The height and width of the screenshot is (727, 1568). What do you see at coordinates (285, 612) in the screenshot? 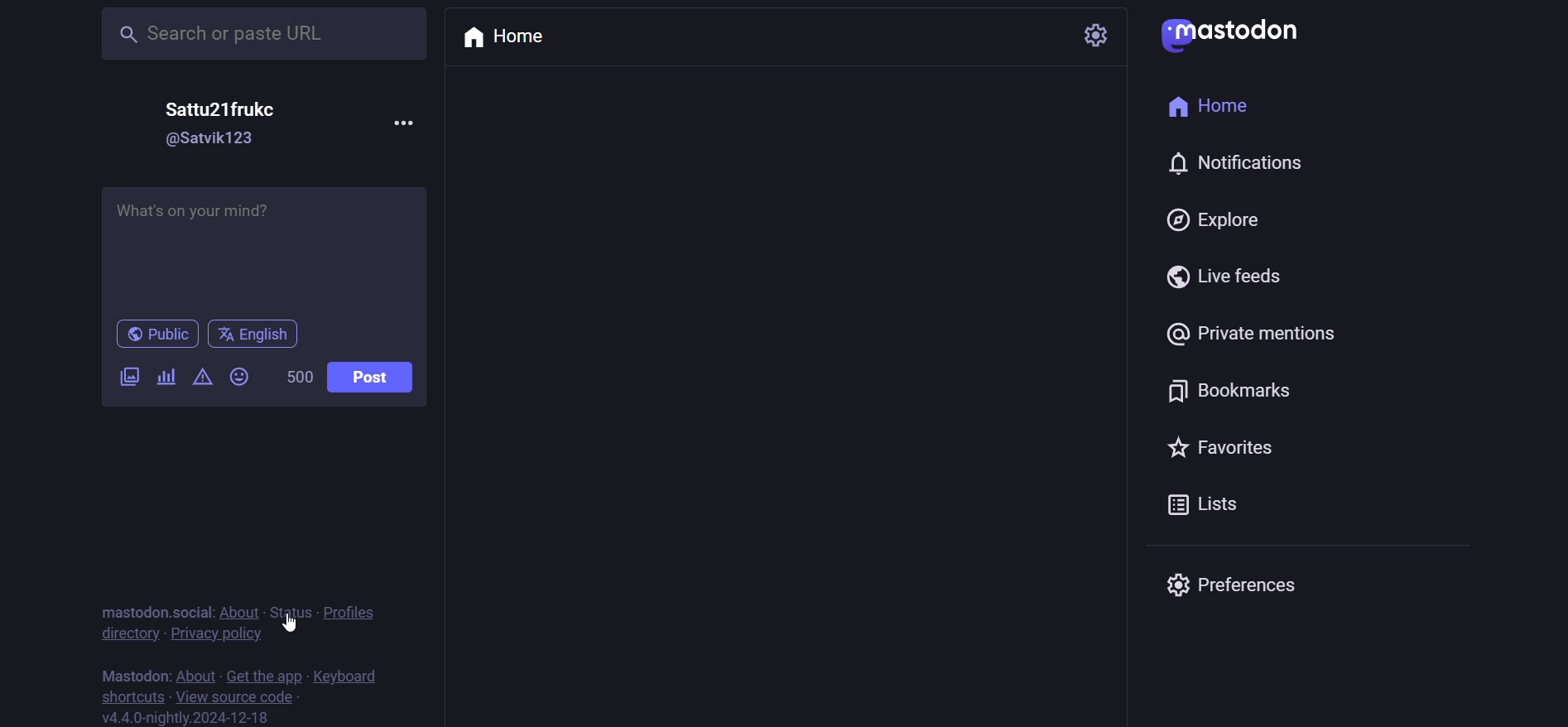
I see `status` at bounding box center [285, 612].